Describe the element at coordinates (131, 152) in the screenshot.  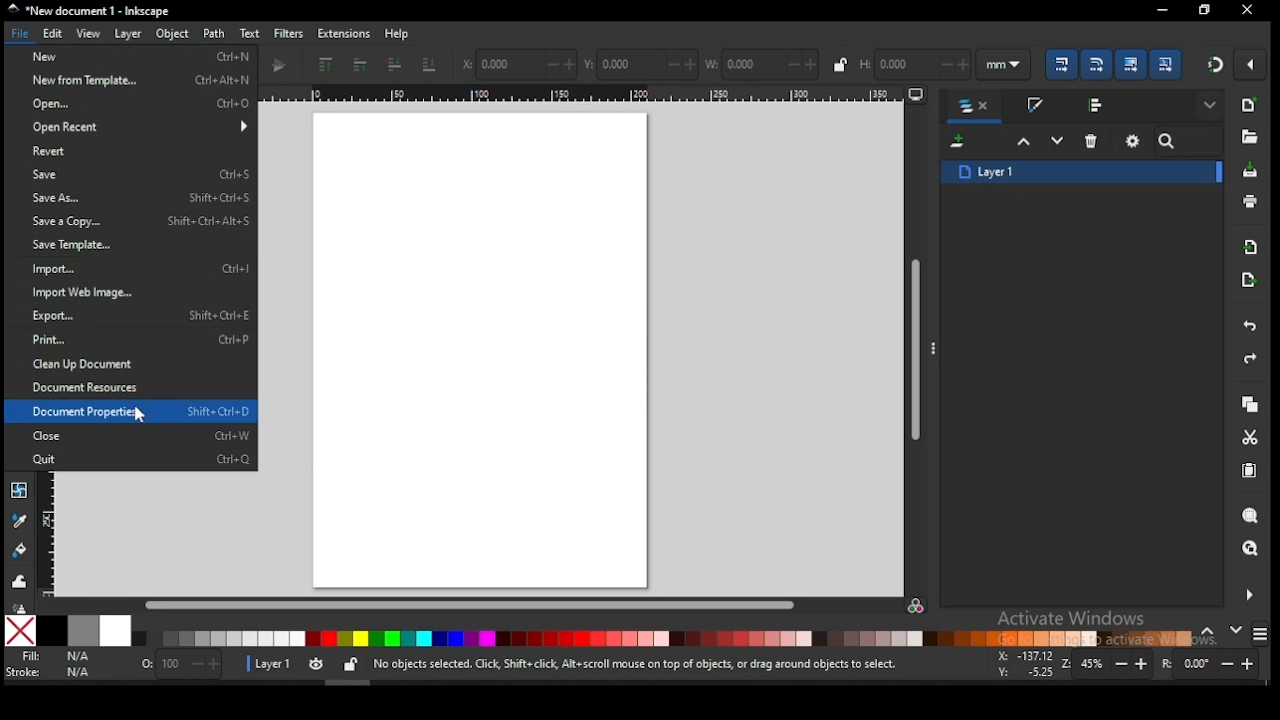
I see `revert` at that location.